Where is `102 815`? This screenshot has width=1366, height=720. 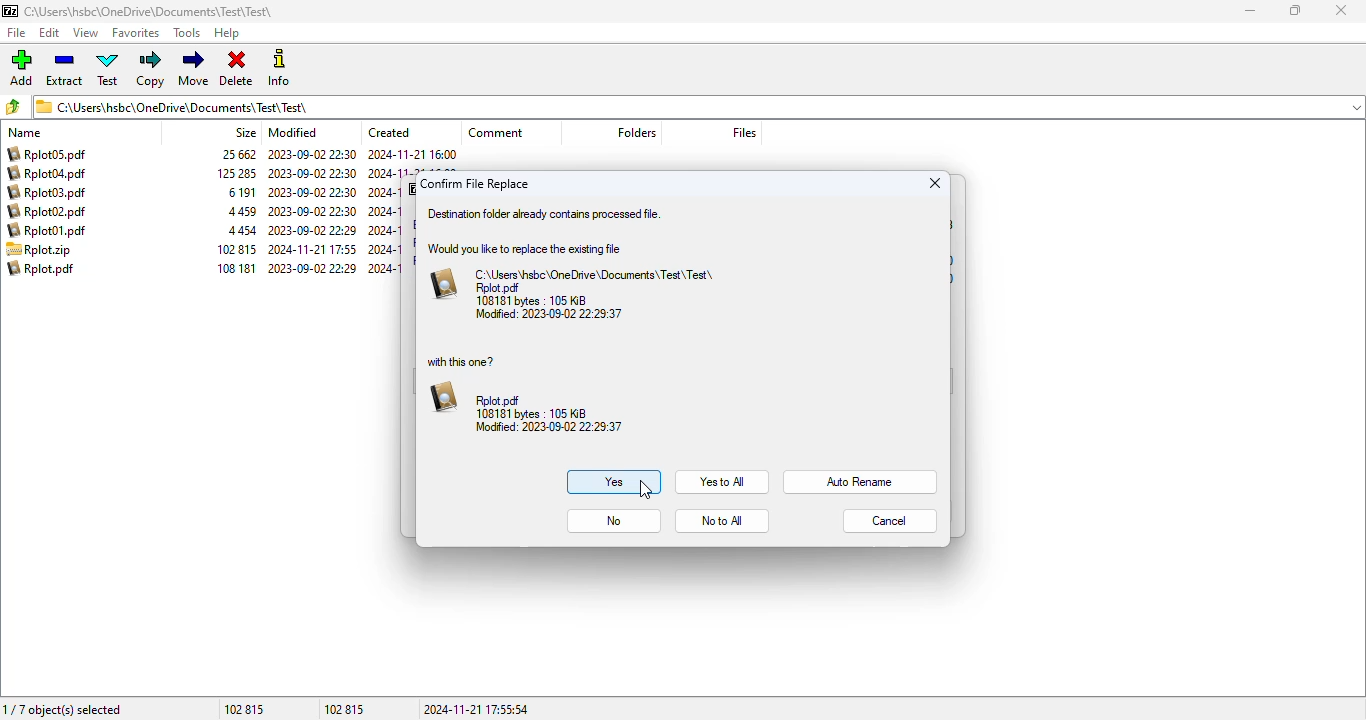 102 815 is located at coordinates (347, 708).